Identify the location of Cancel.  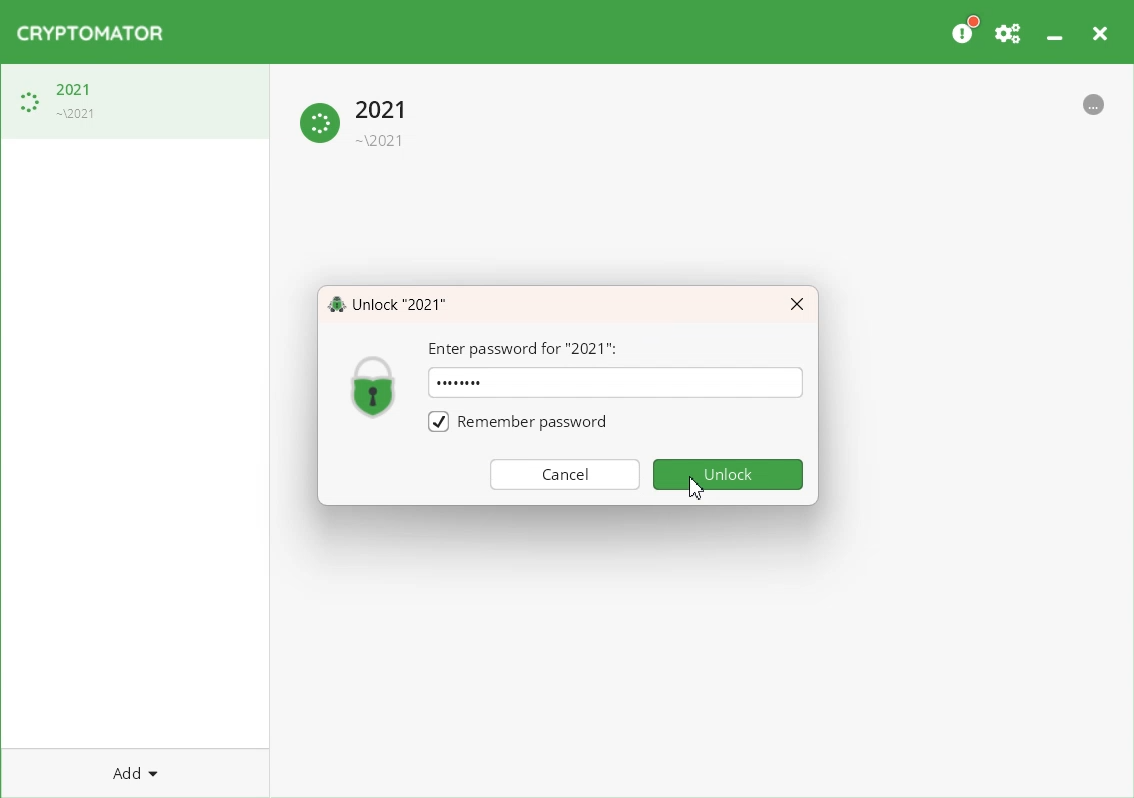
(565, 473).